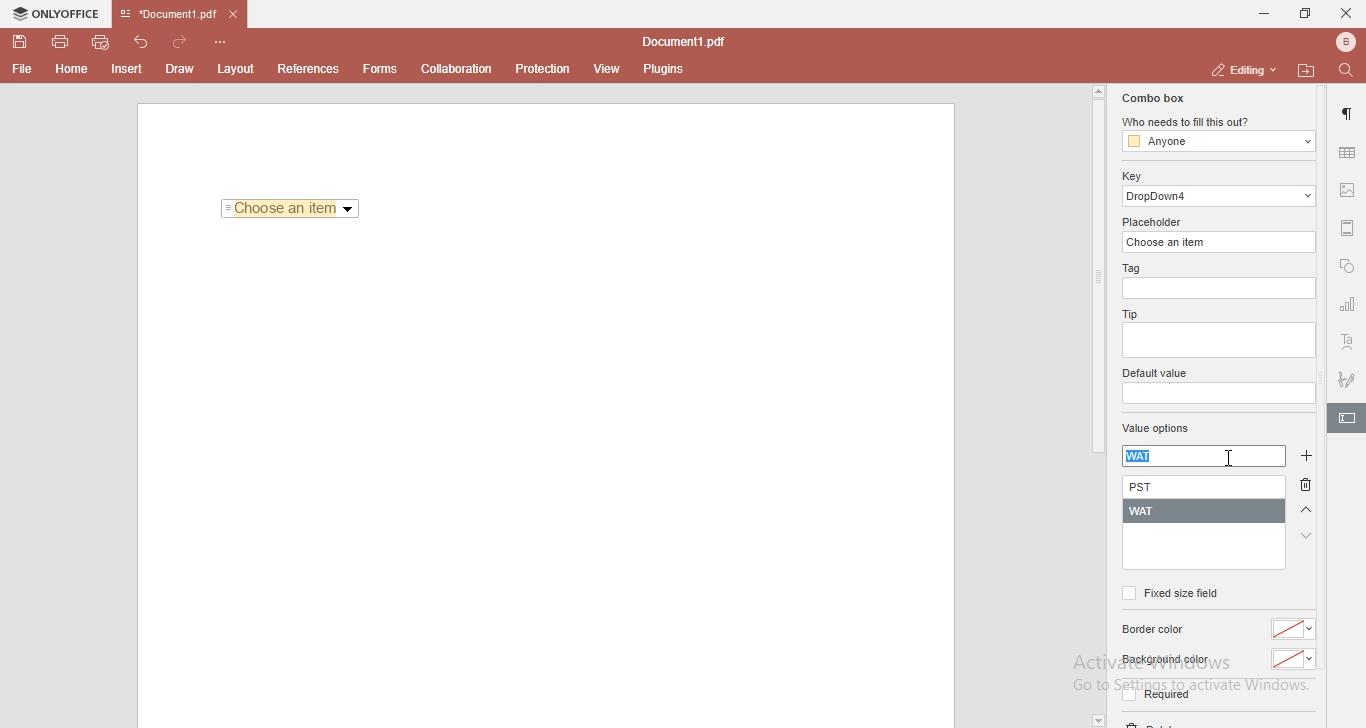 The width and height of the screenshot is (1366, 728). What do you see at coordinates (1307, 511) in the screenshot?
I see `arrow up` at bounding box center [1307, 511].